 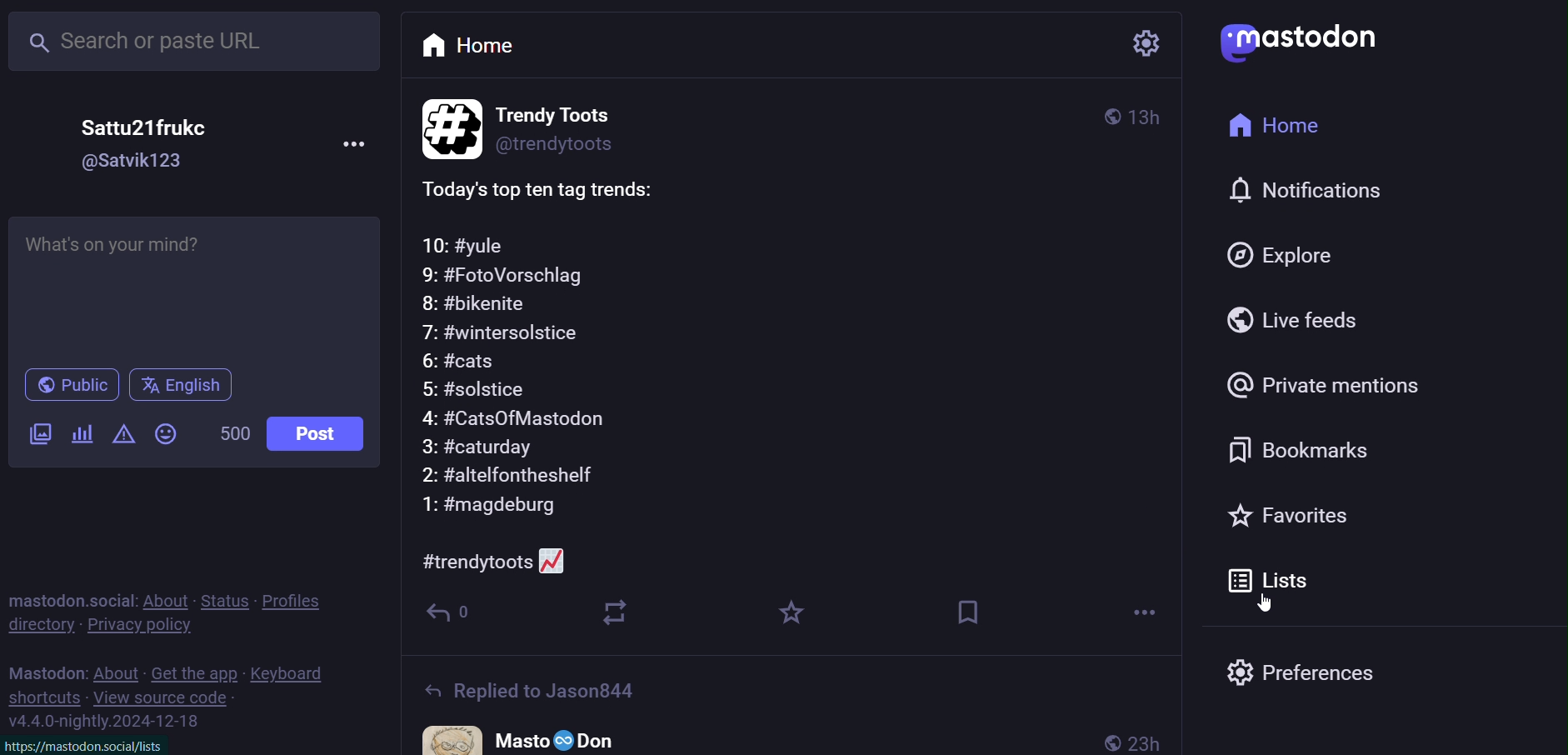 I want to click on live feed, so click(x=1291, y=320).